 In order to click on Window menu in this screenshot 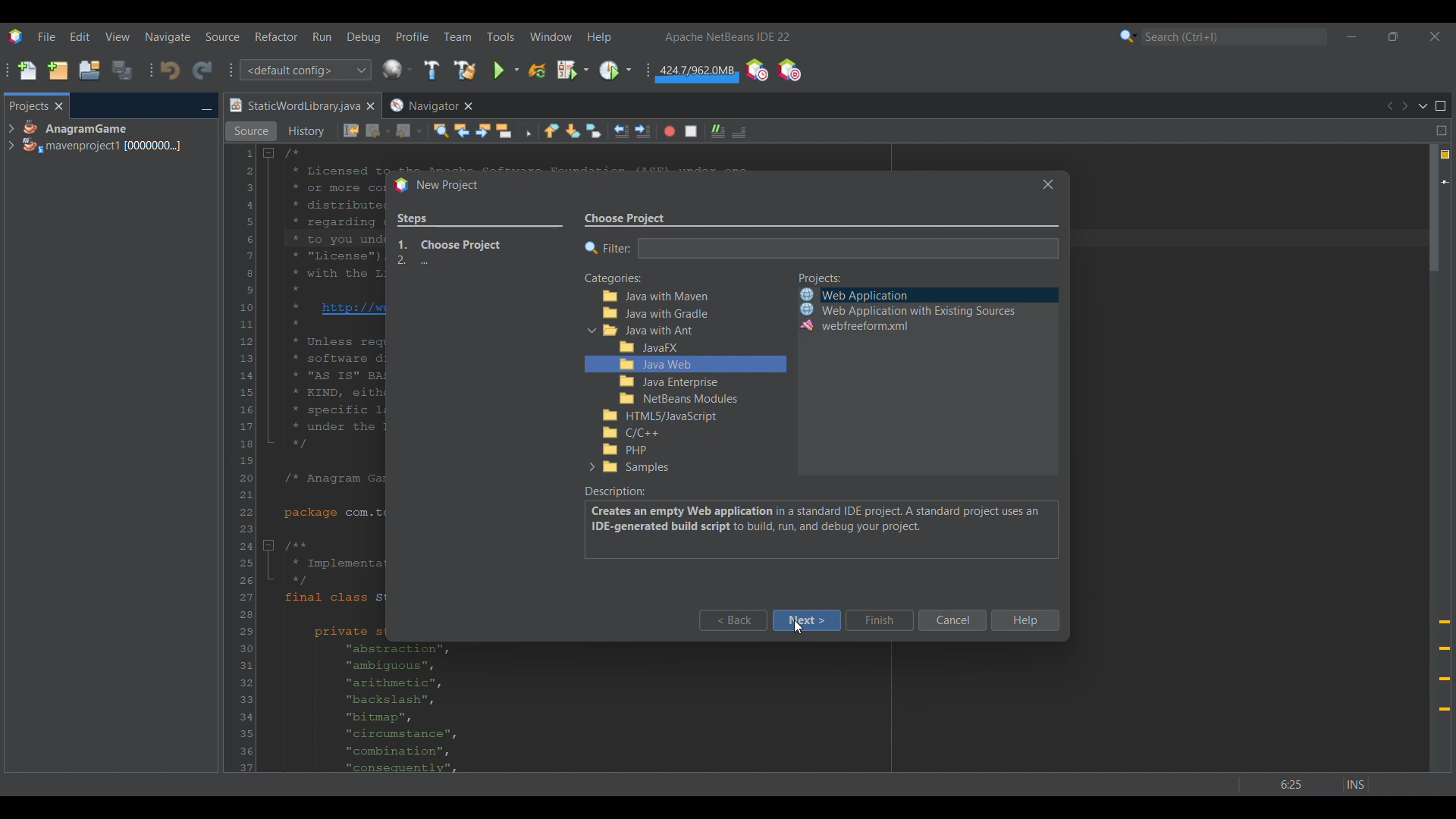, I will do `click(551, 36)`.